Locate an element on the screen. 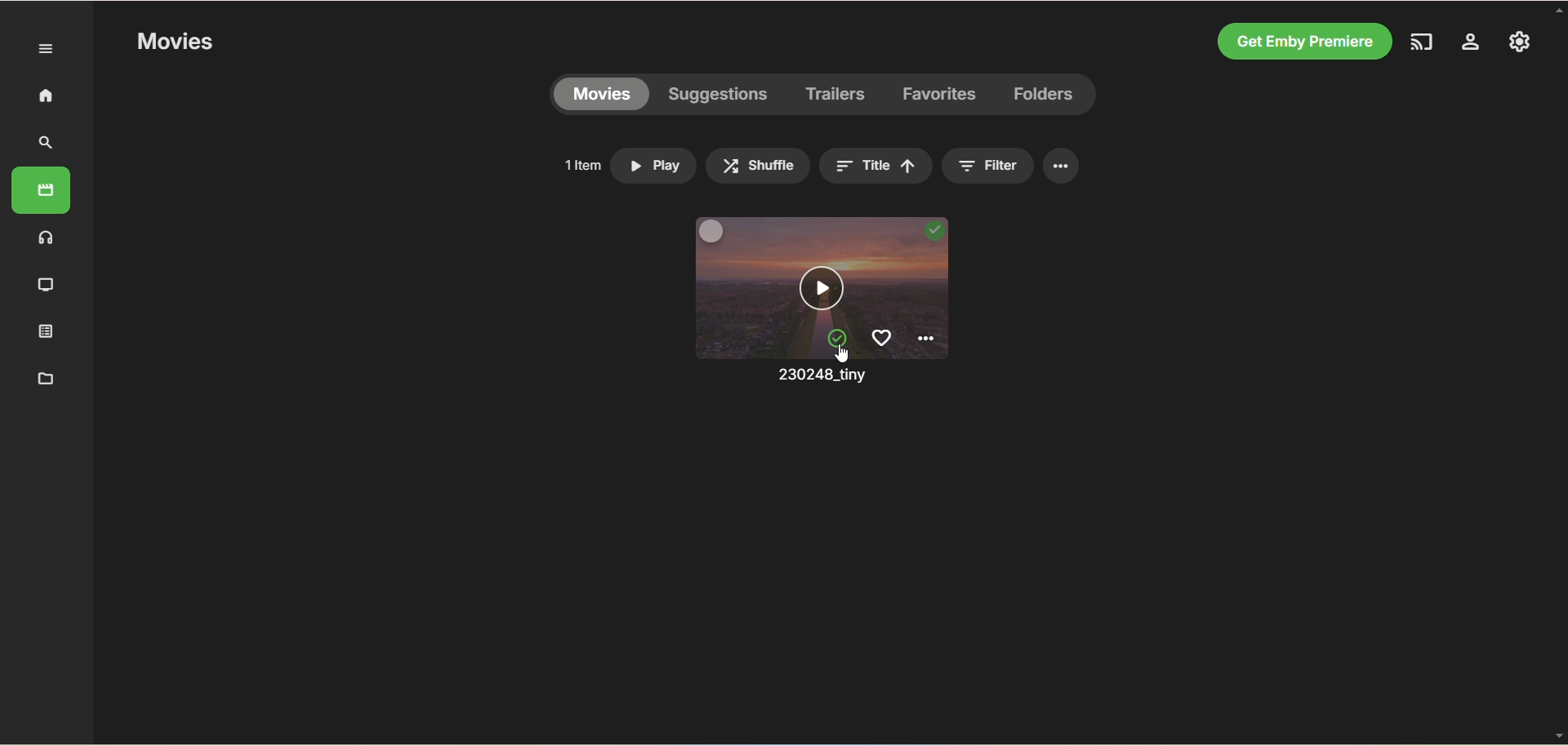 The image size is (1568, 746). favorites is located at coordinates (881, 338).